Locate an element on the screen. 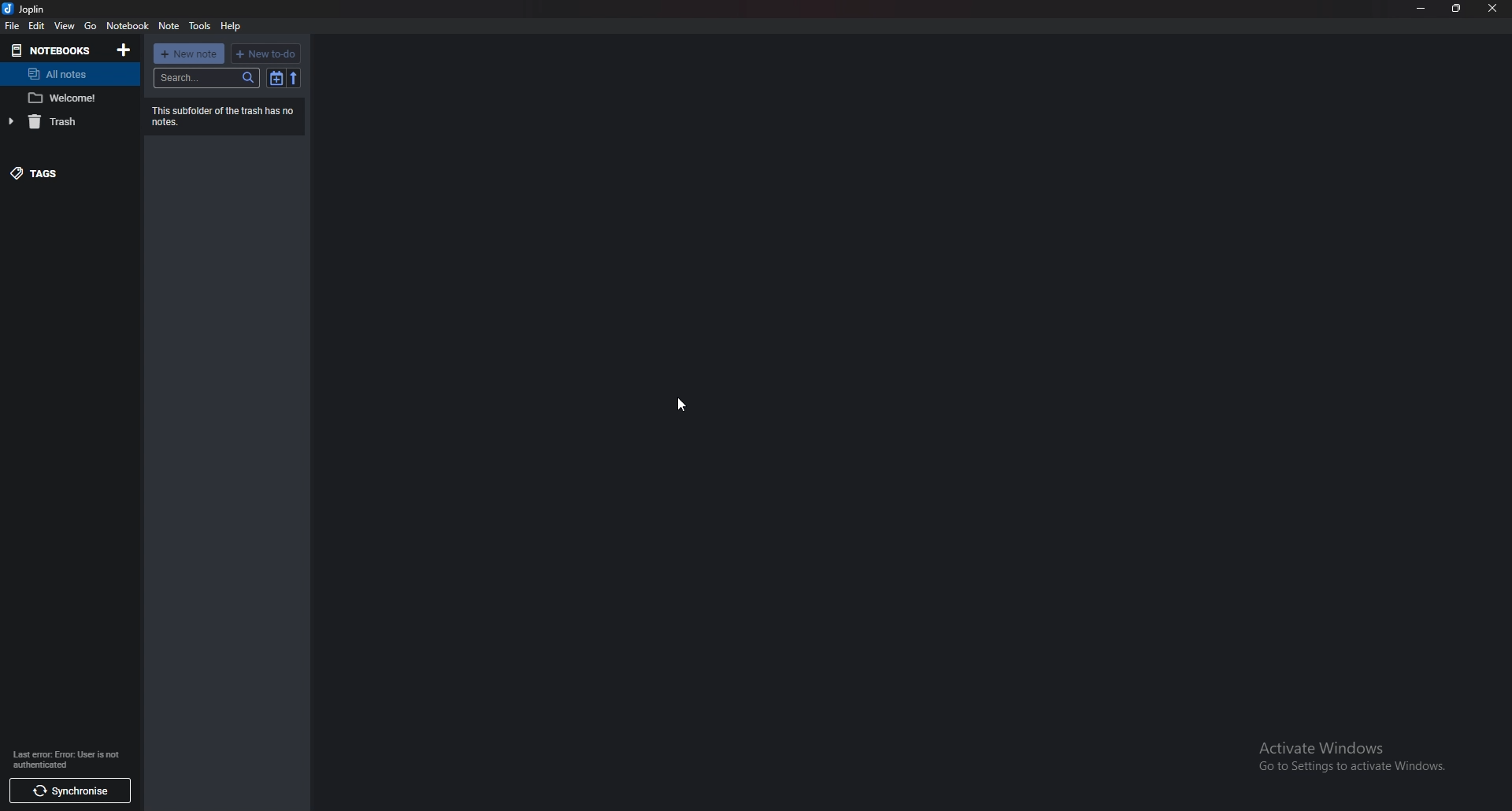 This screenshot has height=811, width=1512. go is located at coordinates (90, 25).